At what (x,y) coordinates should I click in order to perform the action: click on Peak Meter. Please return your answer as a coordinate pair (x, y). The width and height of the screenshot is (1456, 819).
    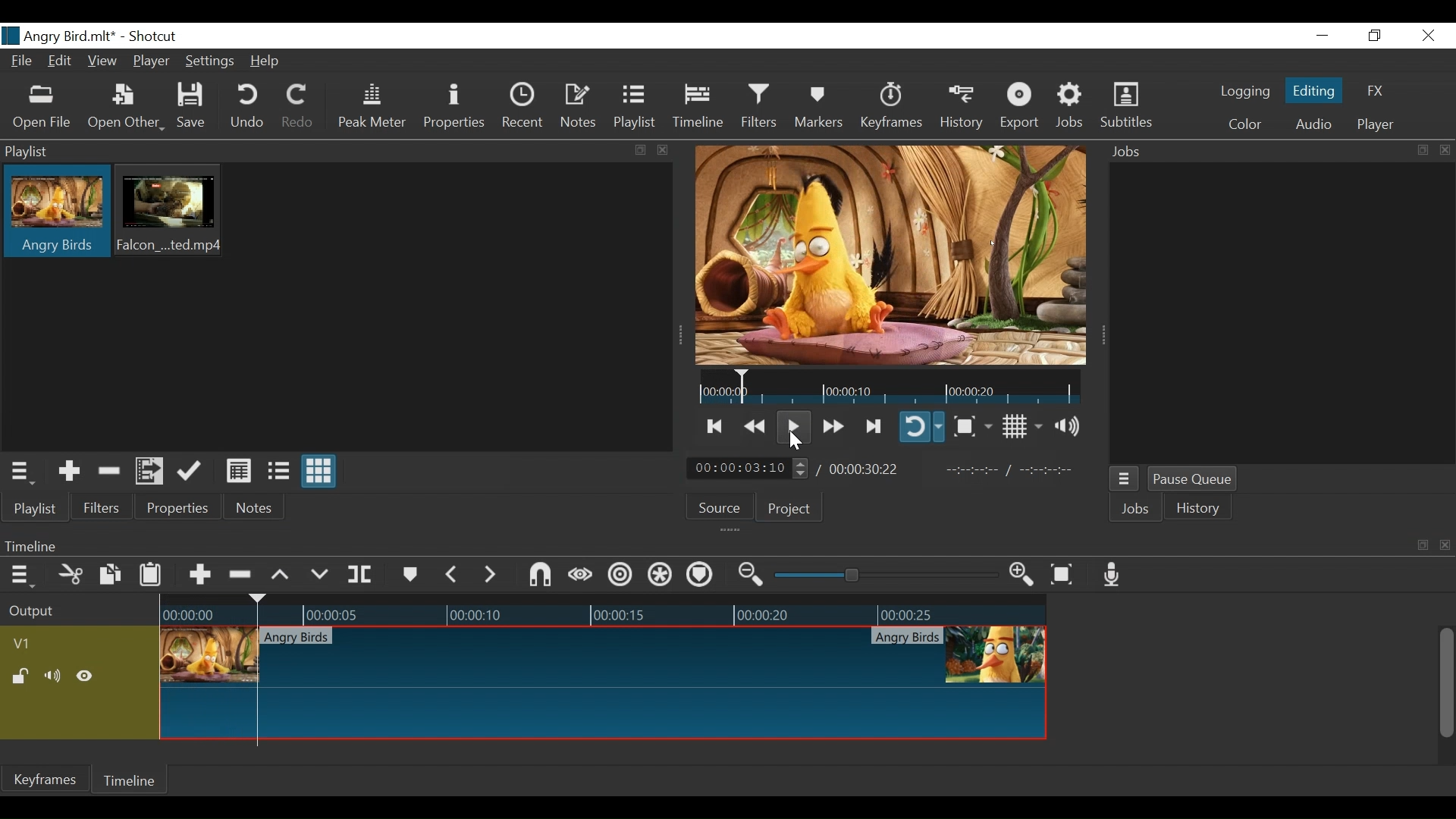
    Looking at the image, I should click on (372, 108).